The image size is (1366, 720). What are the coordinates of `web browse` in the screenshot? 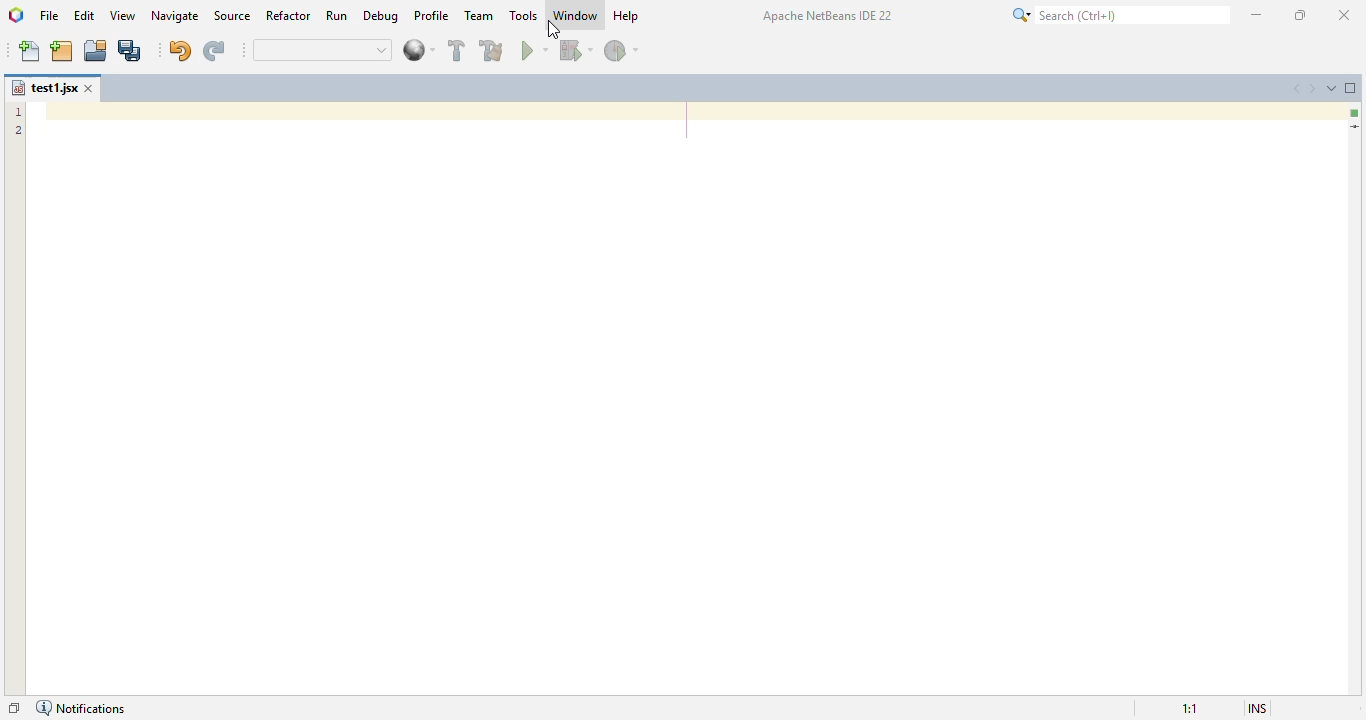 It's located at (418, 50).